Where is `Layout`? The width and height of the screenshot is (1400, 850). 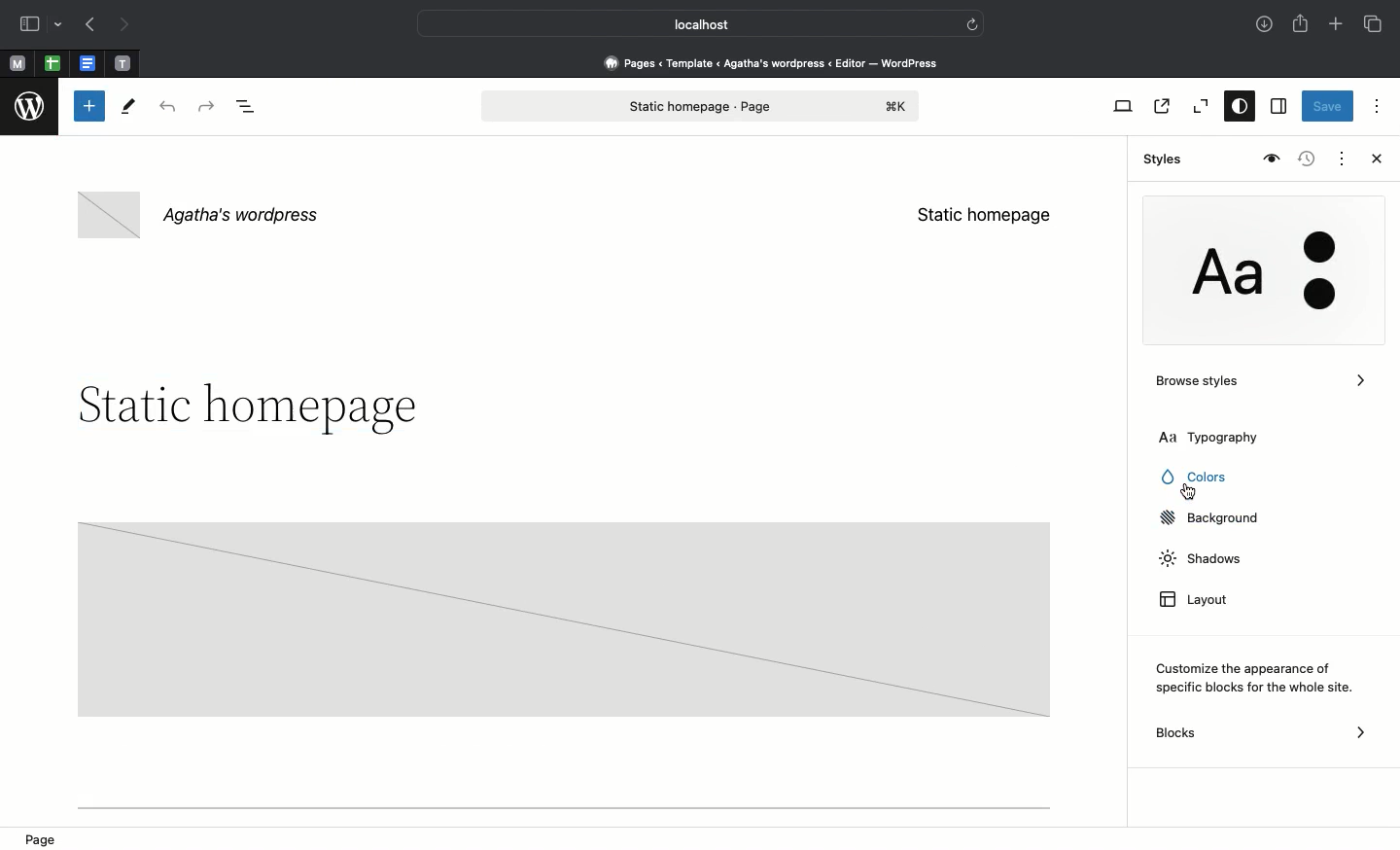 Layout is located at coordinates (1201, 602).